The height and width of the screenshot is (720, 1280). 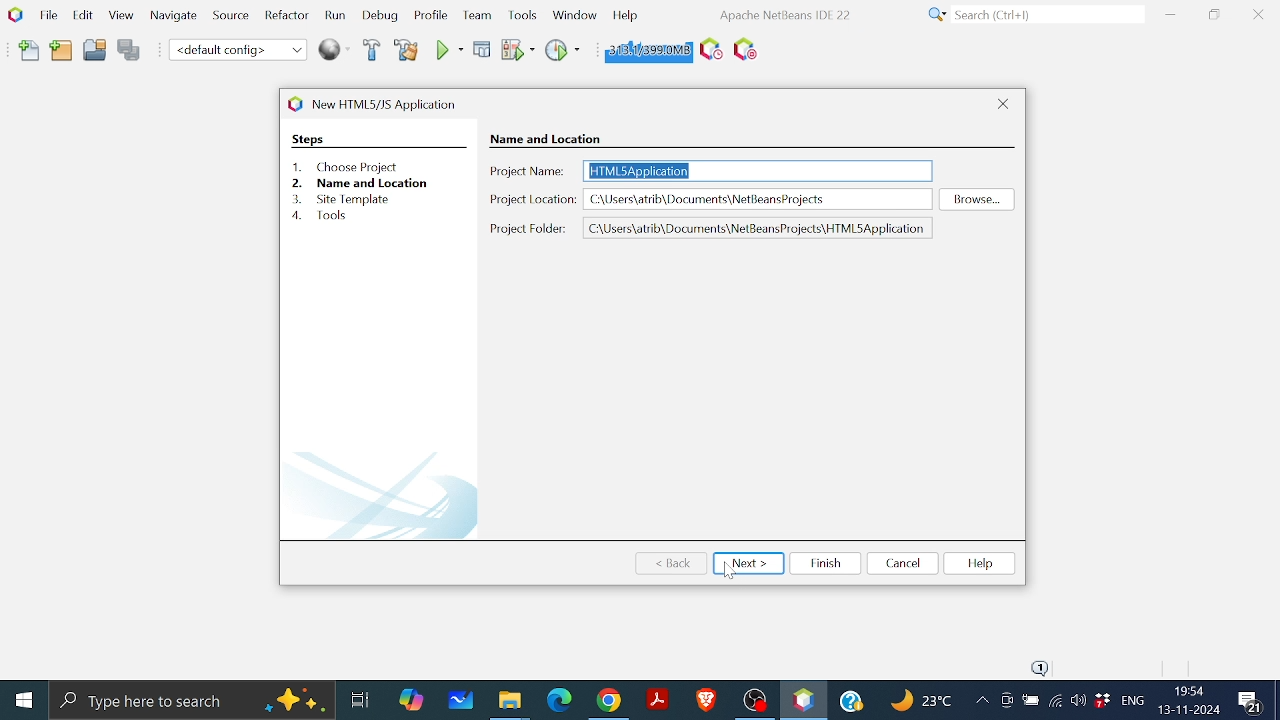 I want to click on logo, so click(x=294, y=103).